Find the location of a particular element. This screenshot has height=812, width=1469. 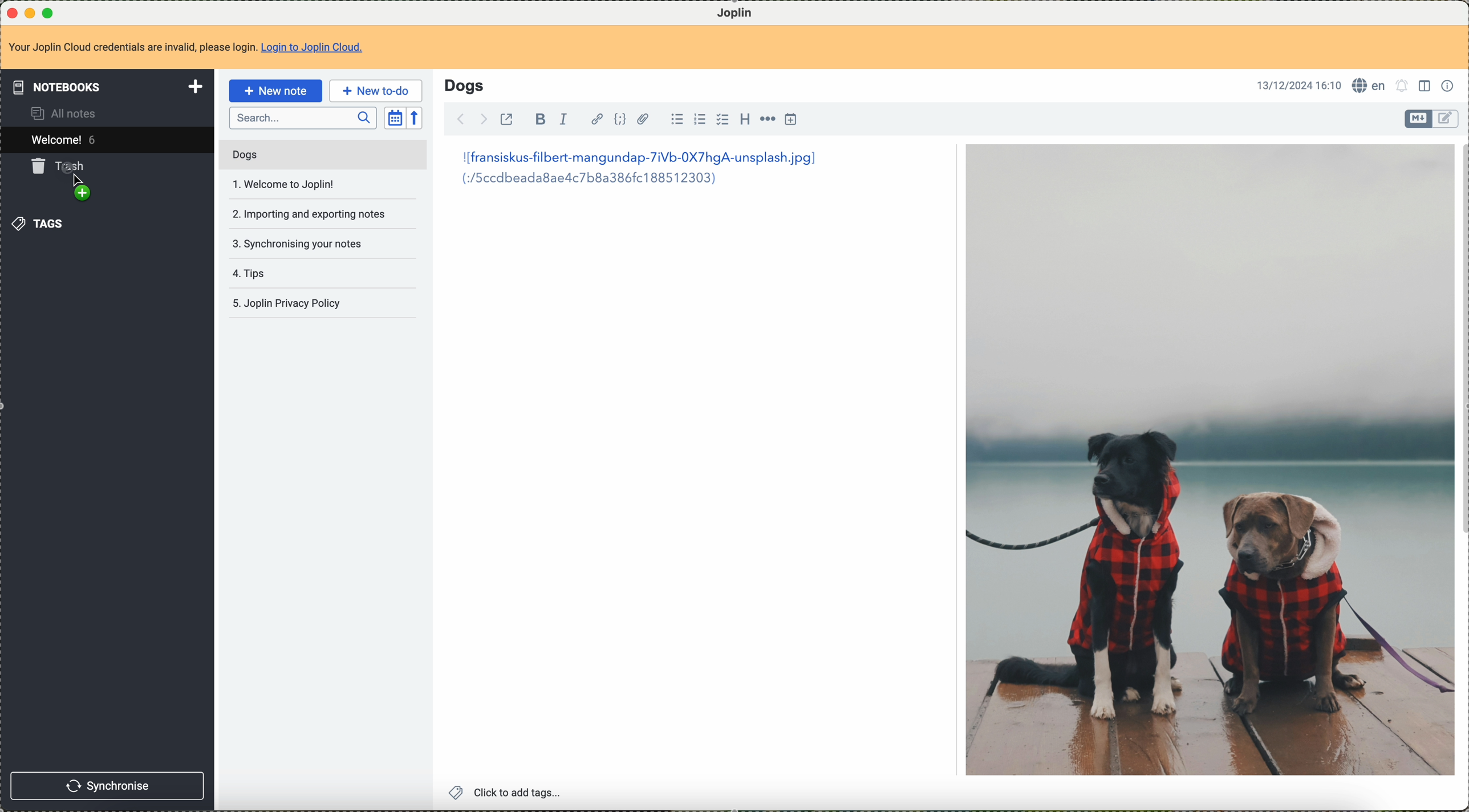

13/12/2024 16:10 is located at coordinates (1298, 83).